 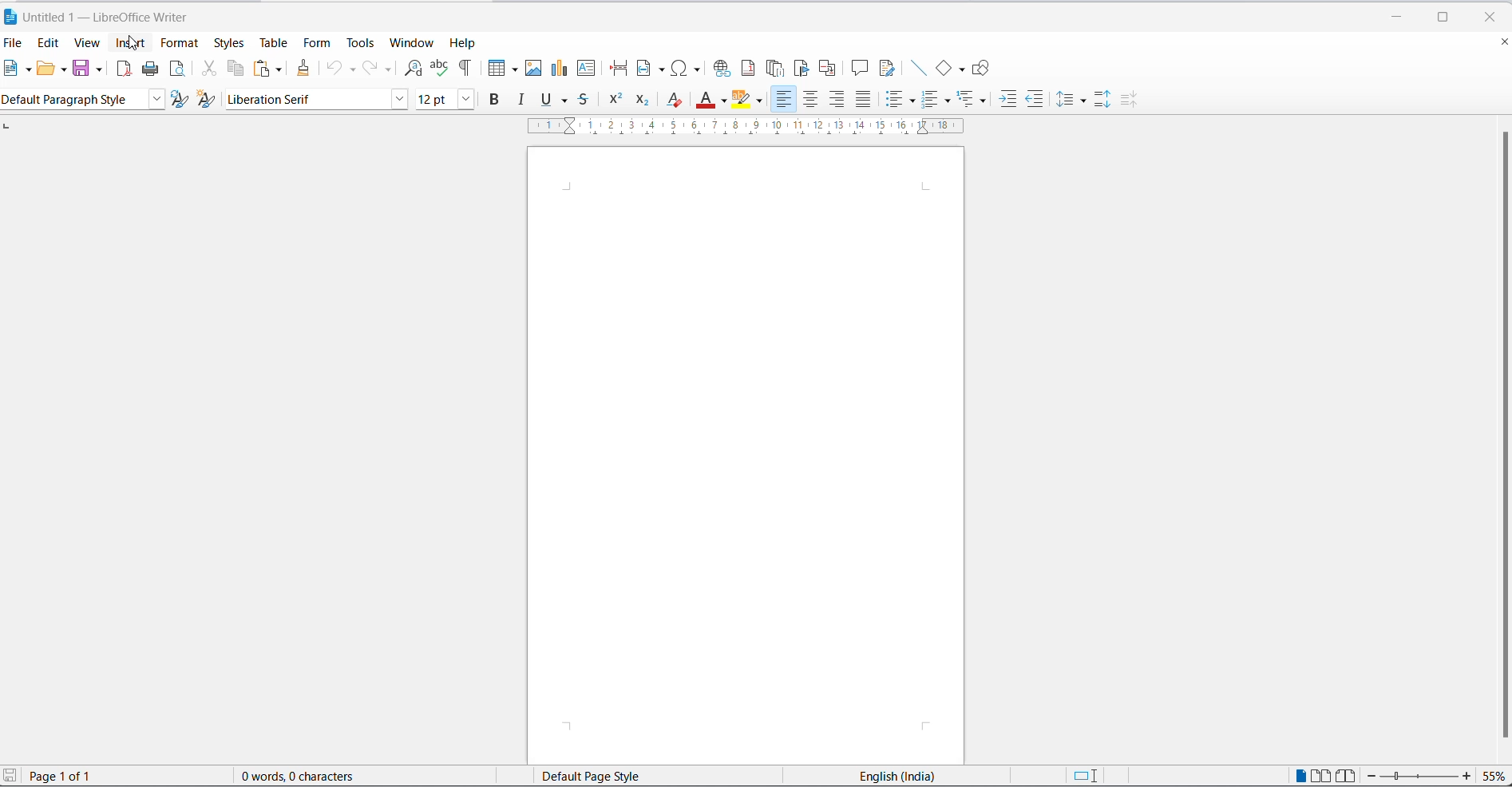 What do you see at coordinates (975, 101) in the screenshot?
I see `select outline format` at bounding box center [975, 101].